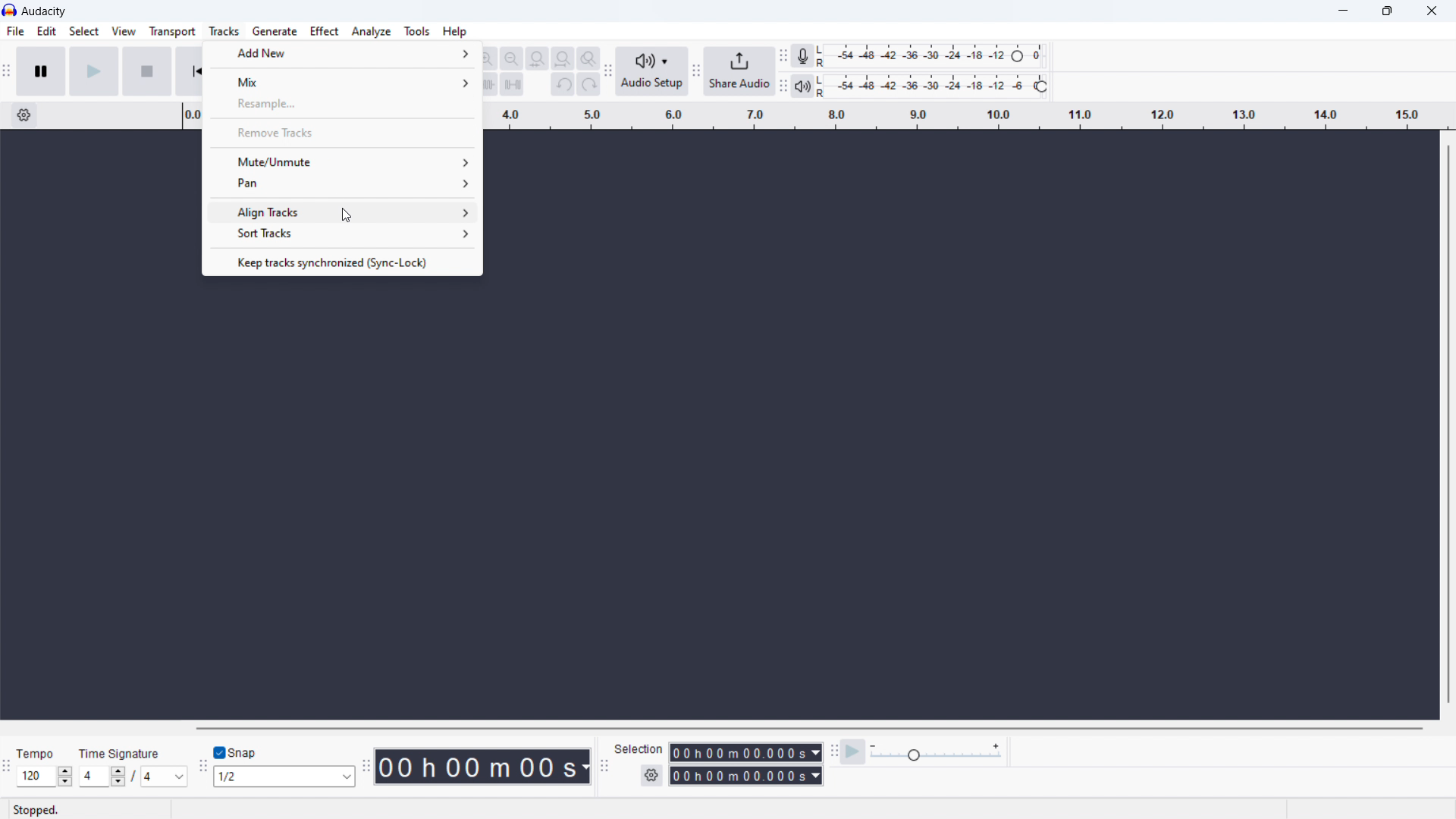 The height and width of the screenshot is (819, 1456). I want to click on generate, so click(274, 31).